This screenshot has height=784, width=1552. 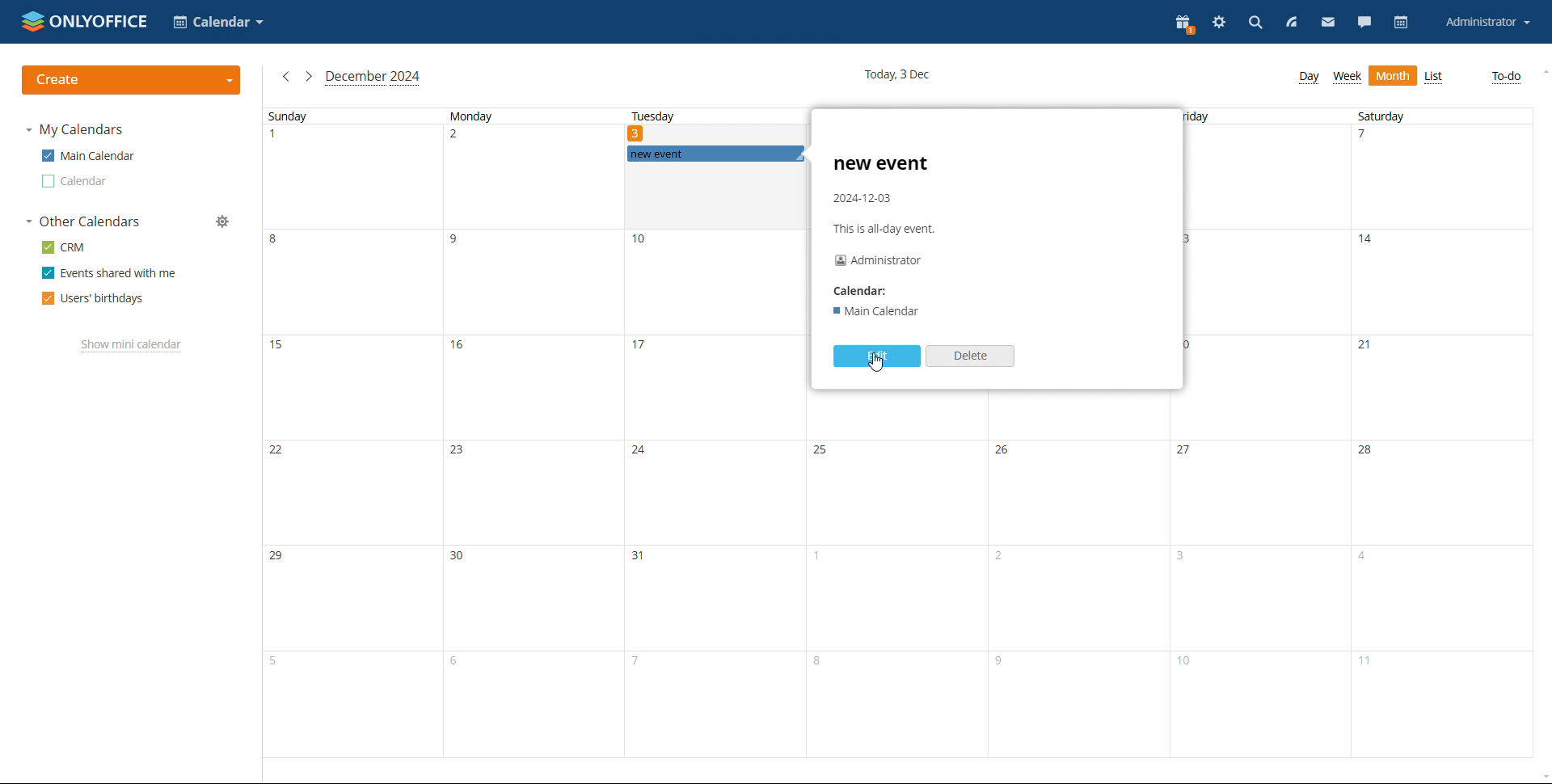 I want to click on current date, so click(x=896, y=76).